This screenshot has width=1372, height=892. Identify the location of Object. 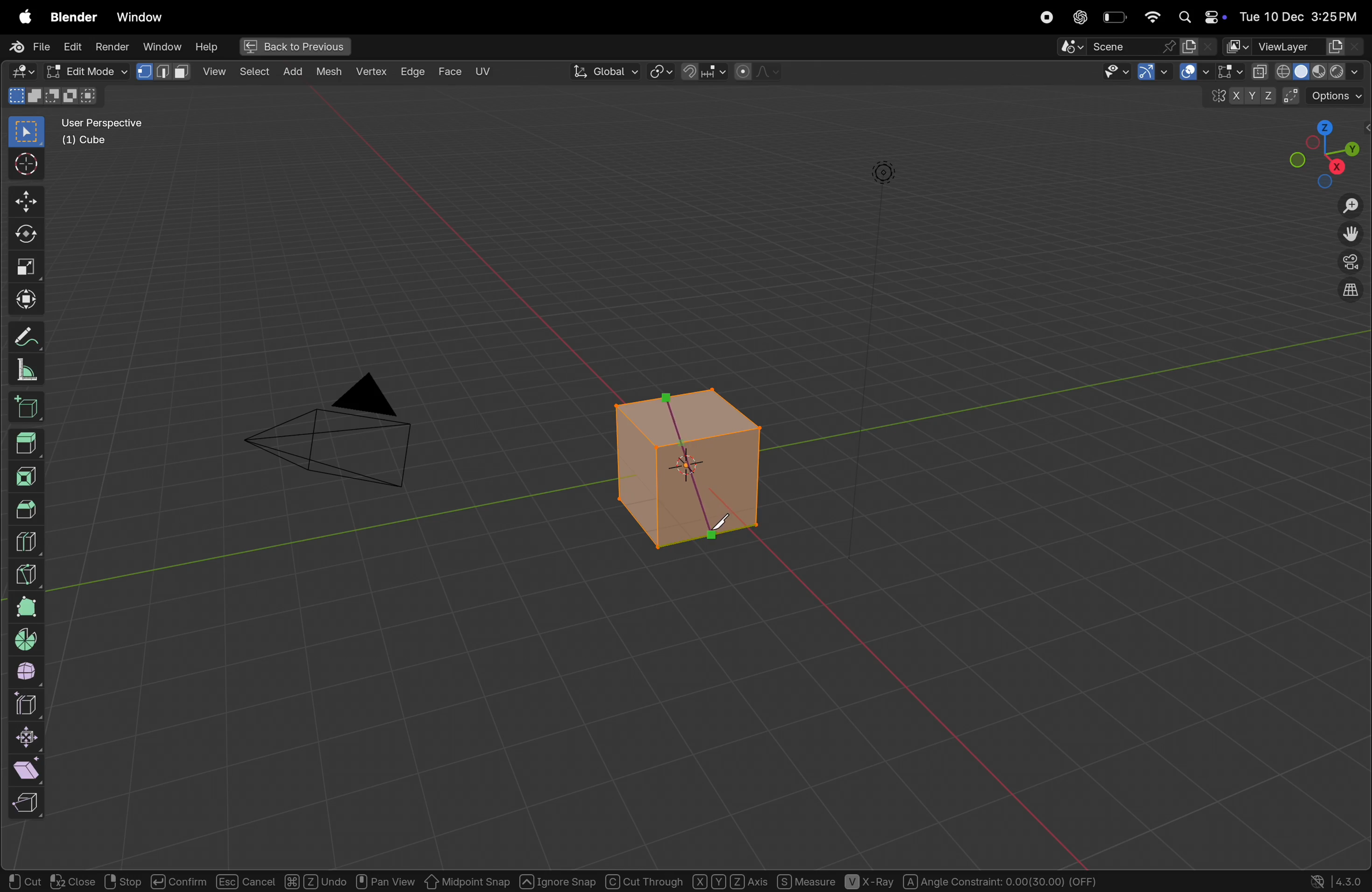
(295, 70).